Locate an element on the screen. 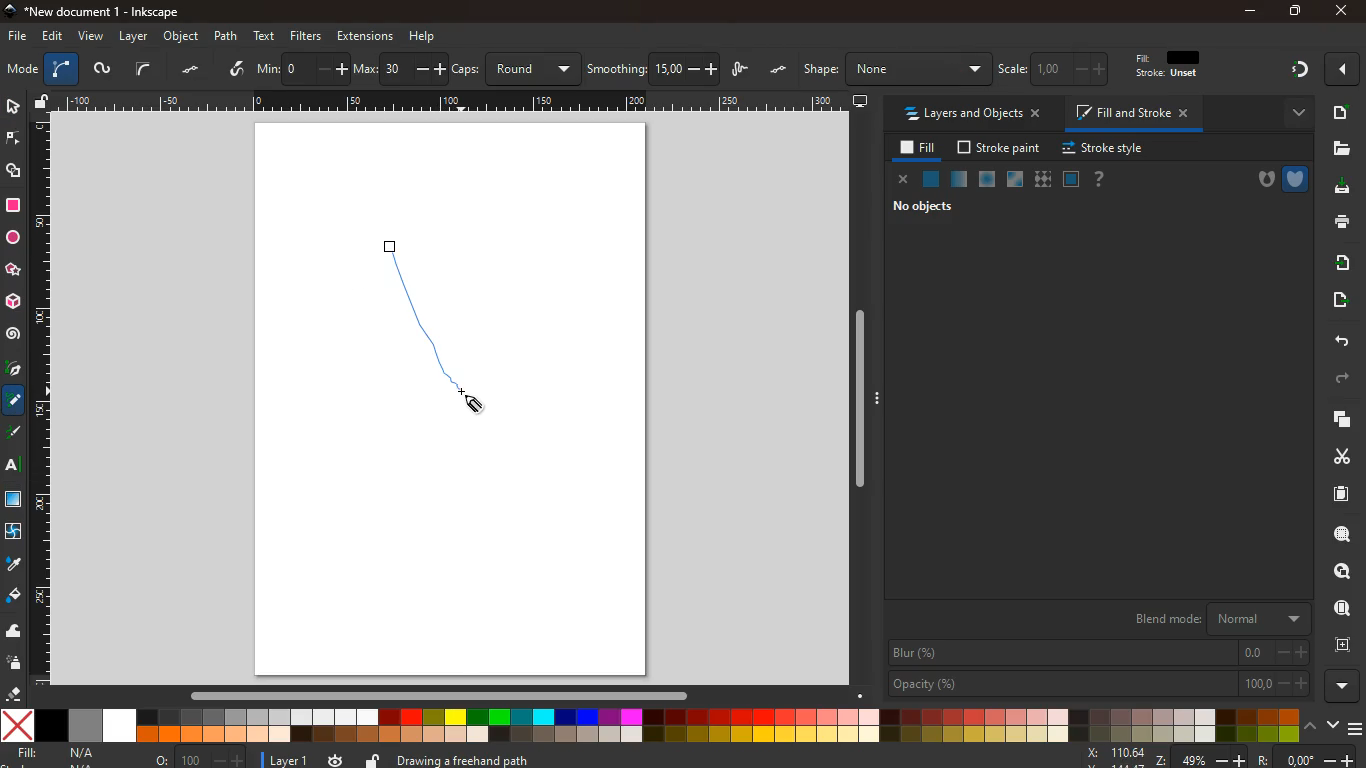 This screenshot has width=1366, height=768. menu is located at coordinates (1357, 729).